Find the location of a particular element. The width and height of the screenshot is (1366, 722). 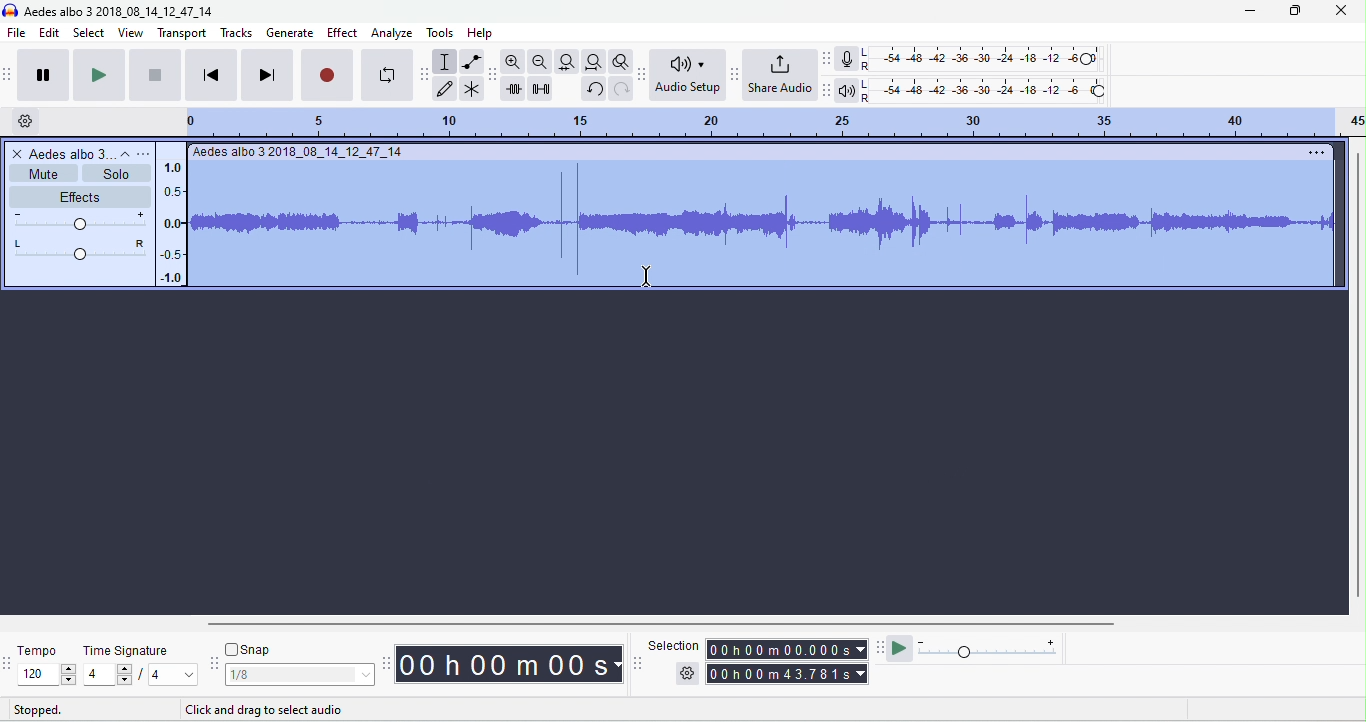

share audio is located at coordinates (779, 74).